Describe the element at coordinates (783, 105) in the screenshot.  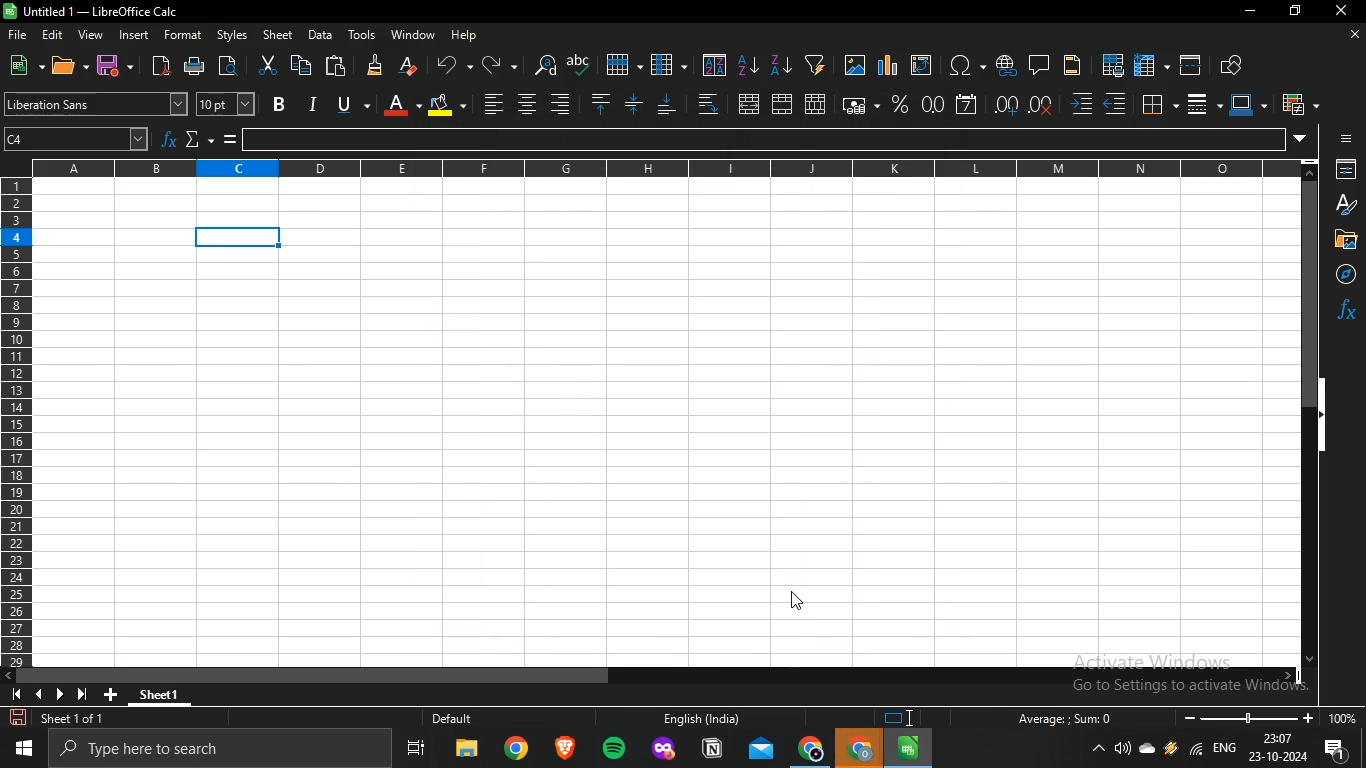
I see `merge cells` at that location.